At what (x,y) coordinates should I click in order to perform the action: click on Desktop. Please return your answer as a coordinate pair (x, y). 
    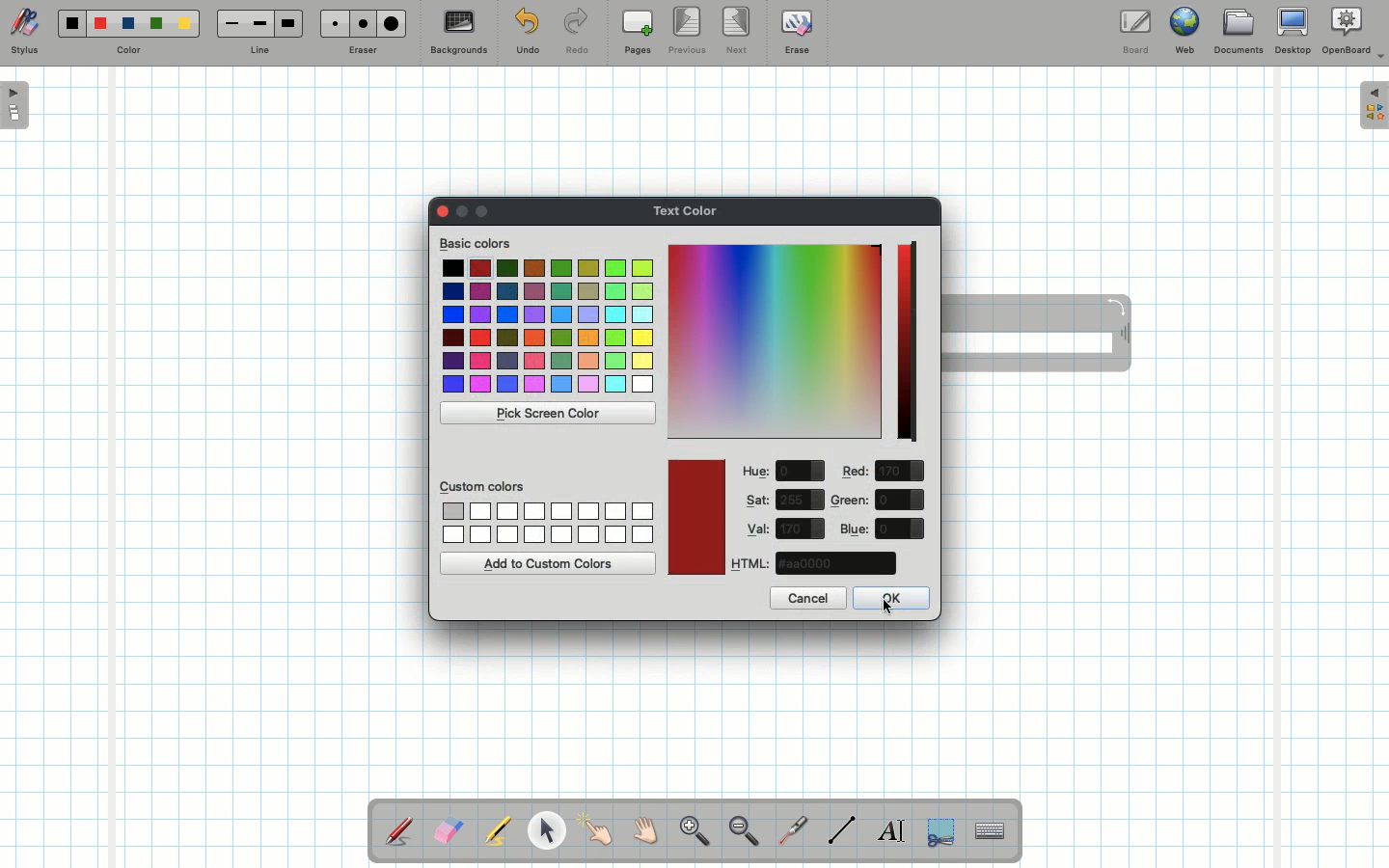
    Looking at the image, I should click on (1295, 31).